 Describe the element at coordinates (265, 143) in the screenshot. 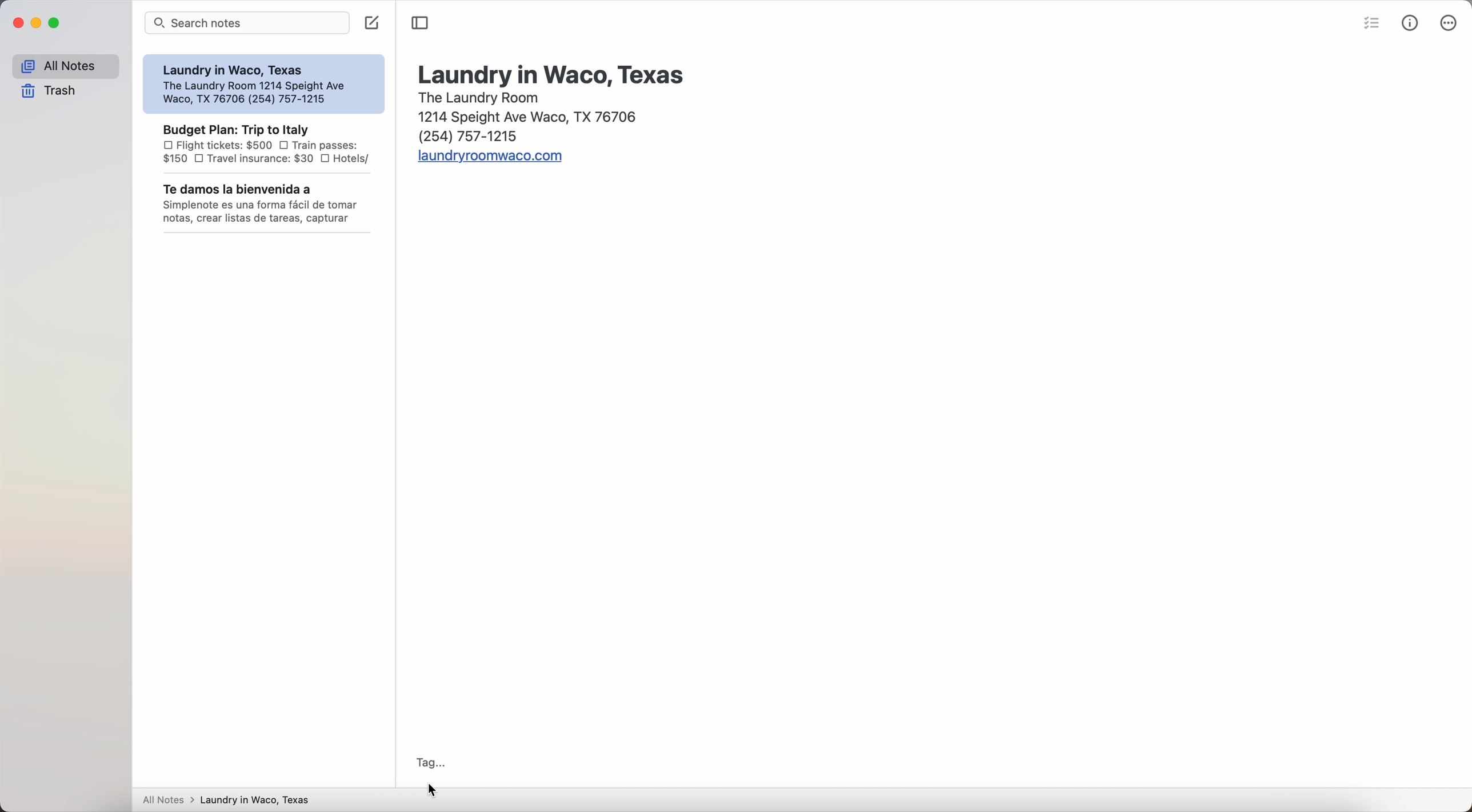

I see `Budget Plan: Trip to Italy note` at that location.